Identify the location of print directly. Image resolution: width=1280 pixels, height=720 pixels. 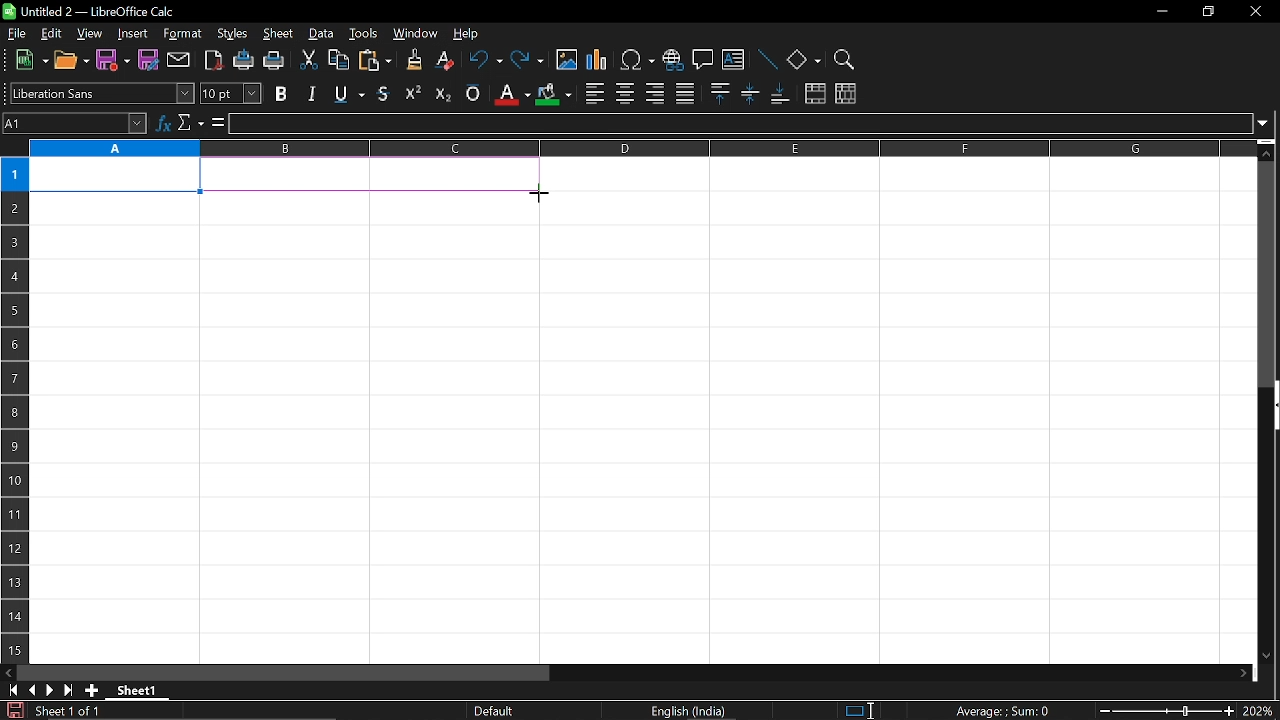
(242, 61).